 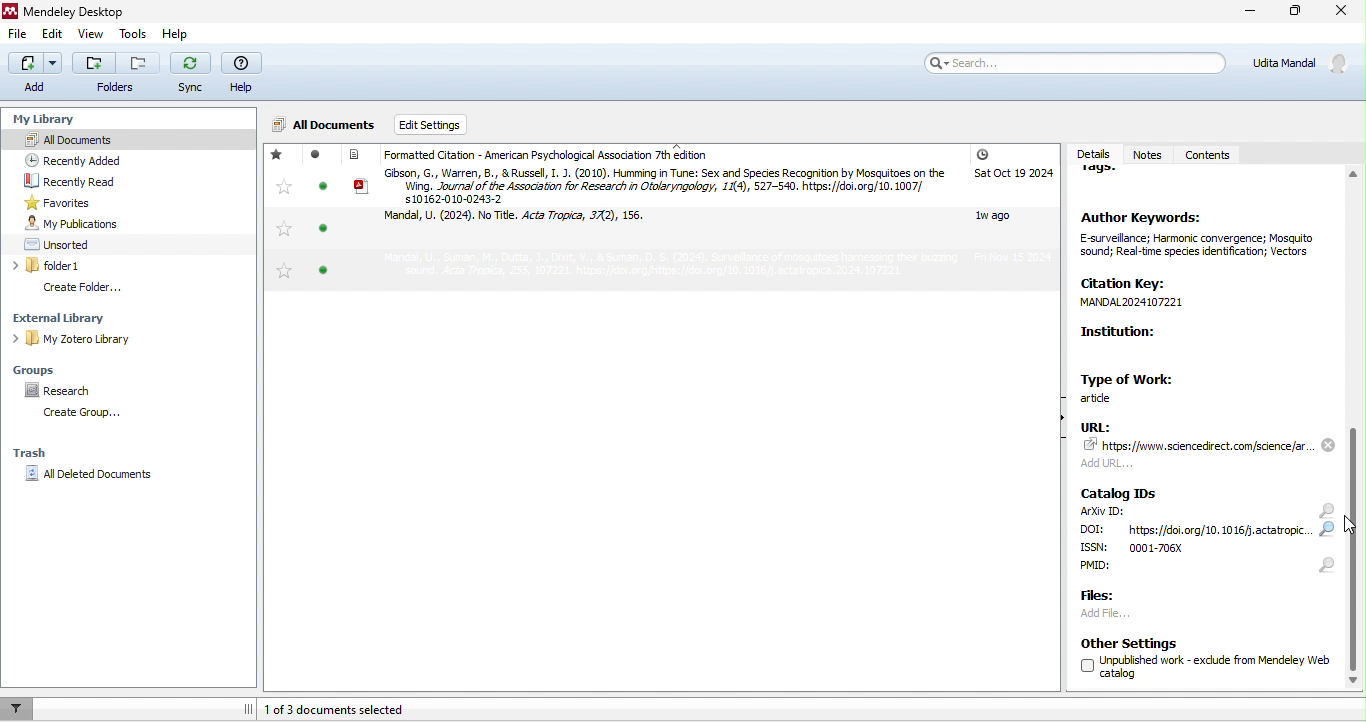 I want to click on research, so click(x=61, y=389).